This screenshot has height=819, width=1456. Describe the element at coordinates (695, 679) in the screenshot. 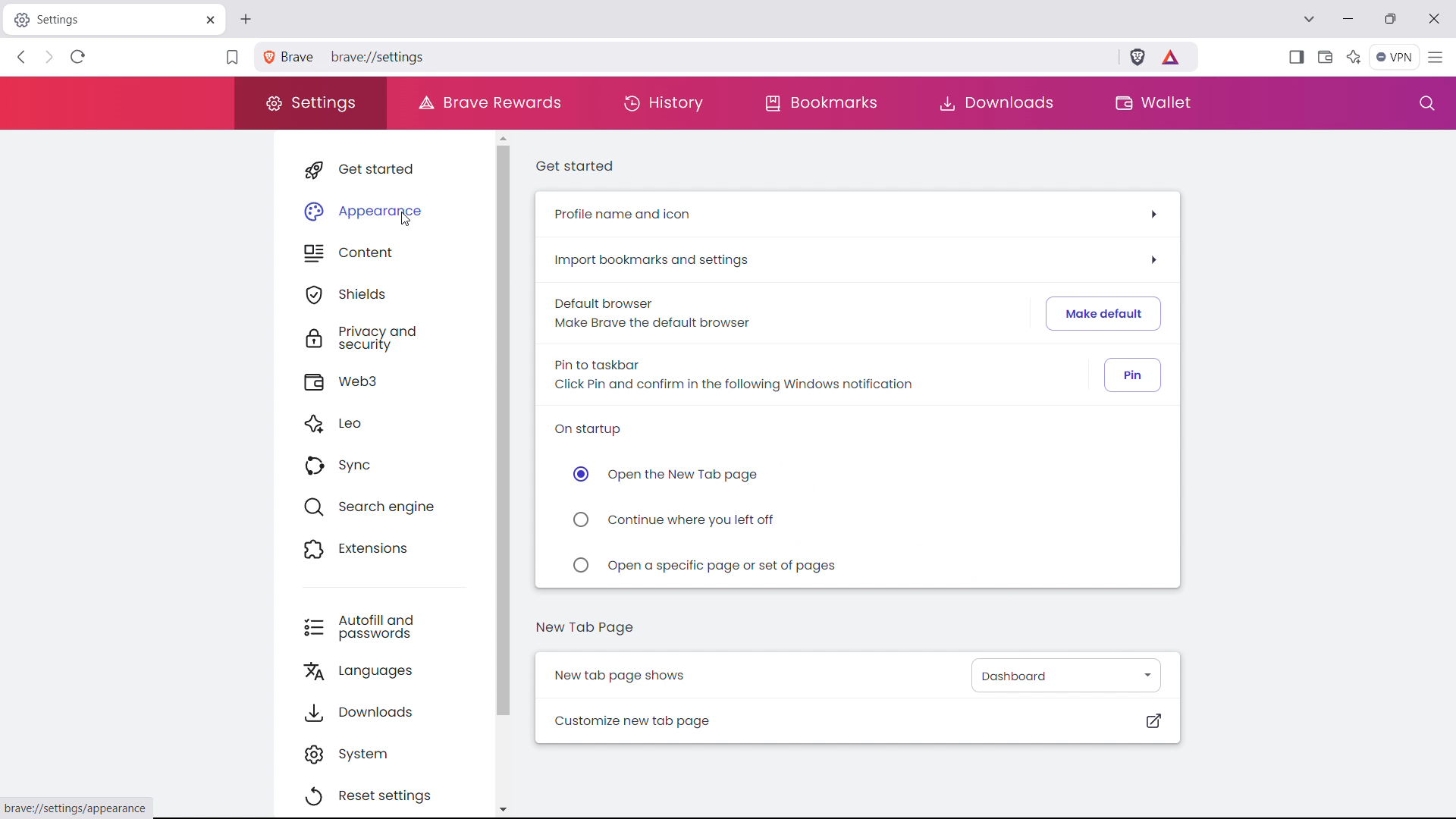

I see `New tab page shows` at that location.